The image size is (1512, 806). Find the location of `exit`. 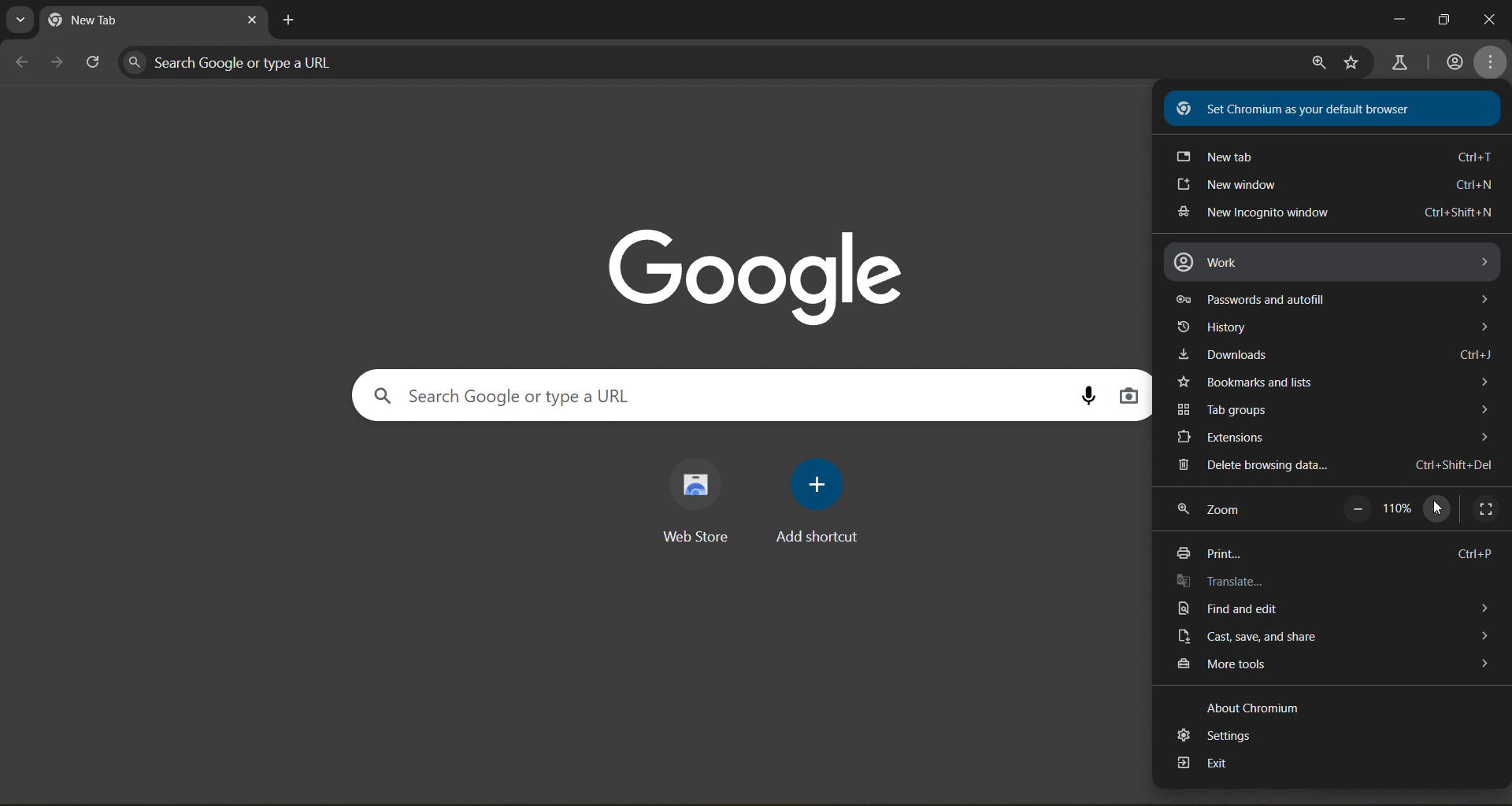

exit is located at coordinates (1203, 766).